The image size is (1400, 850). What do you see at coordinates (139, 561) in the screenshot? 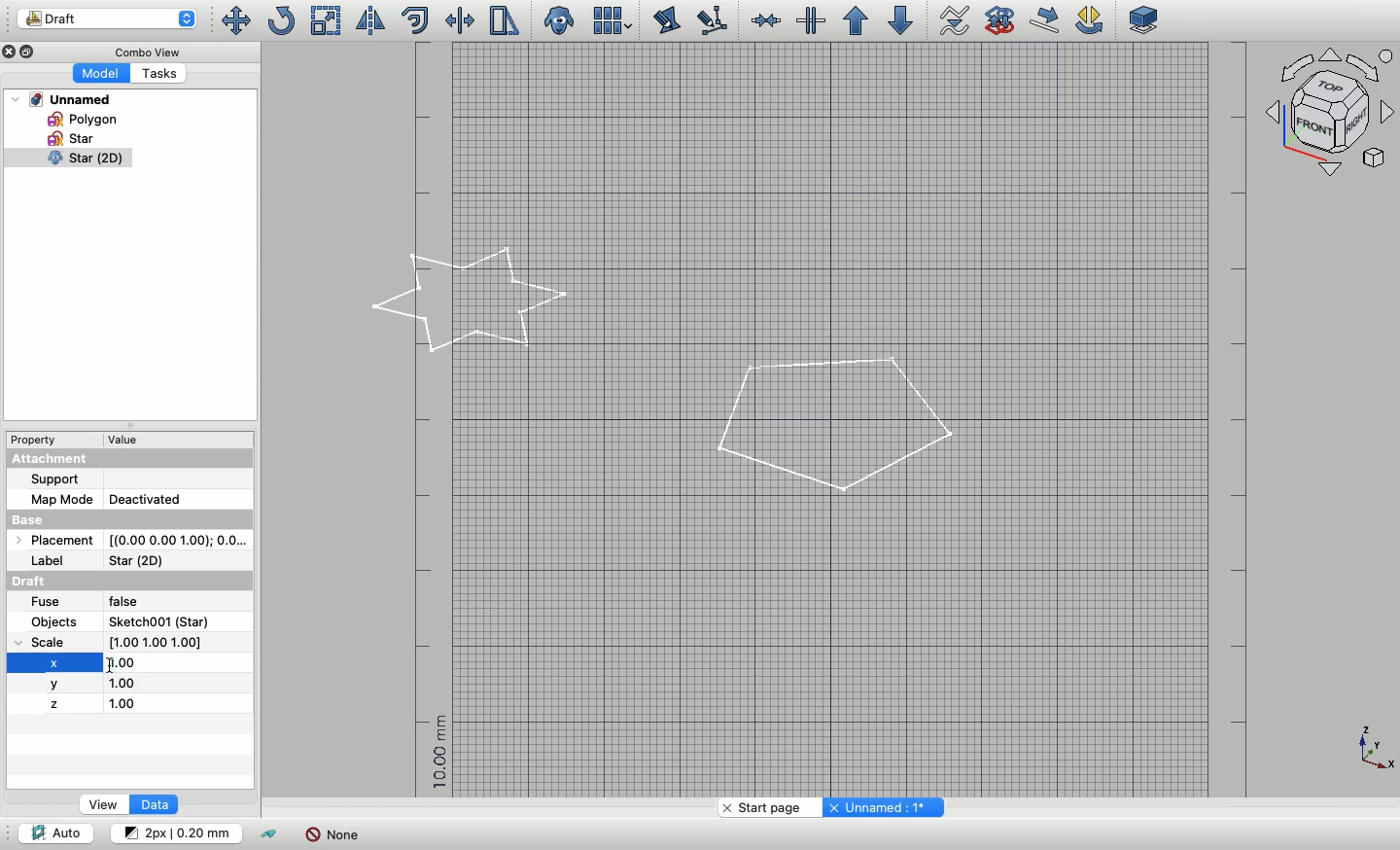
I see `Star (2D)` at bounding box center [139, 561].